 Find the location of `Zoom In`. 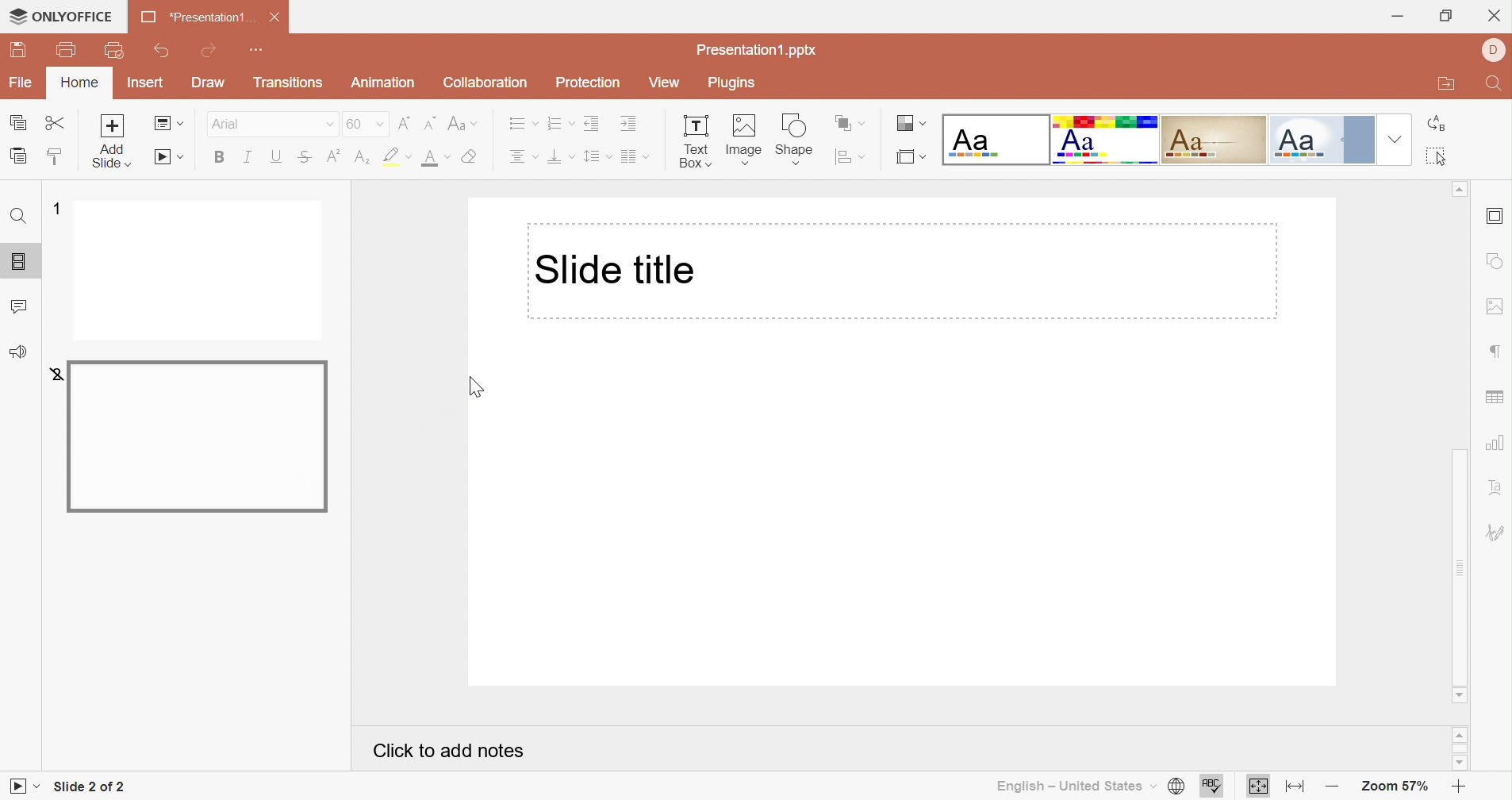

Zoom In is located at coordinates (1456, 783).